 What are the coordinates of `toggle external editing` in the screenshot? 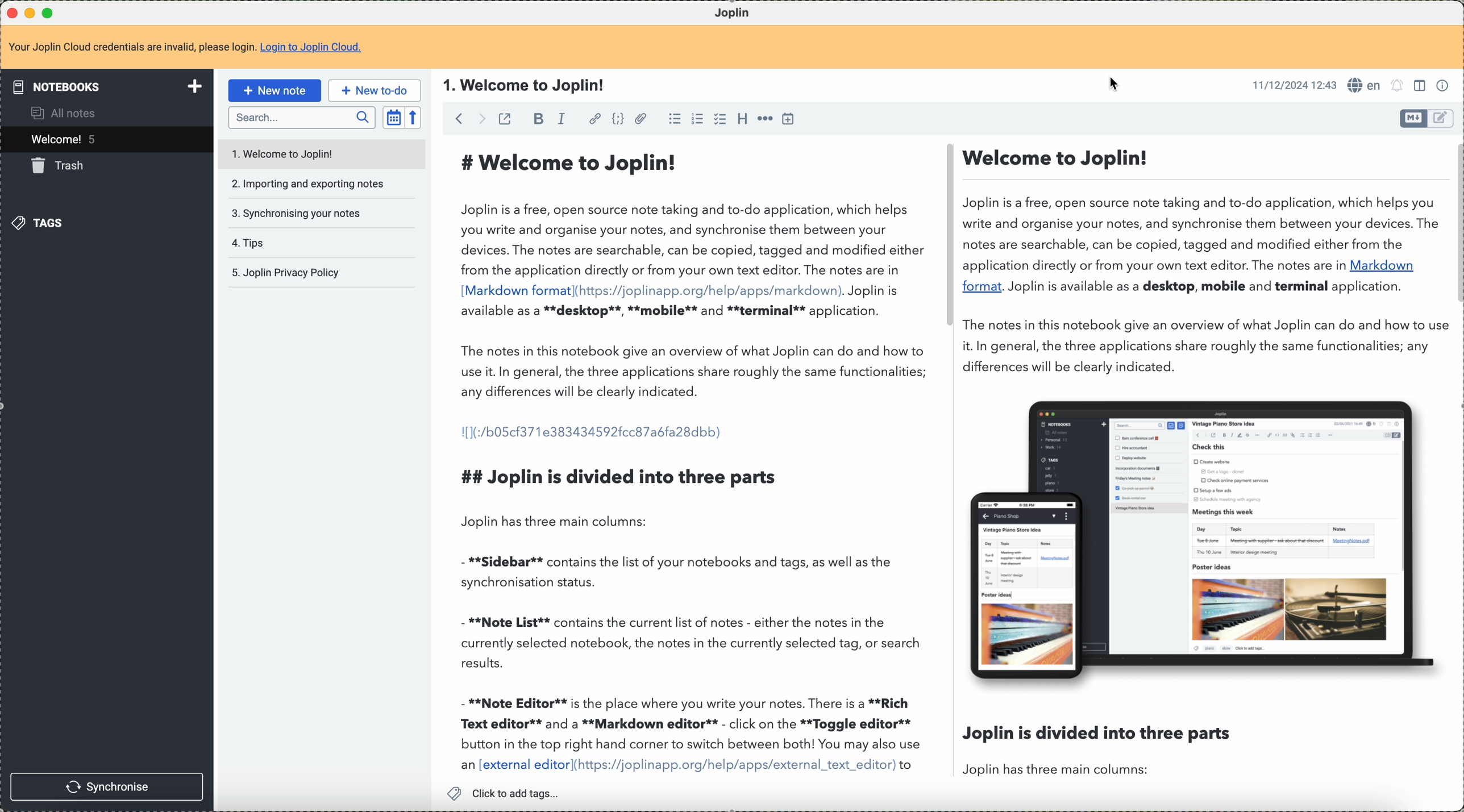 It's located at (504, 119).